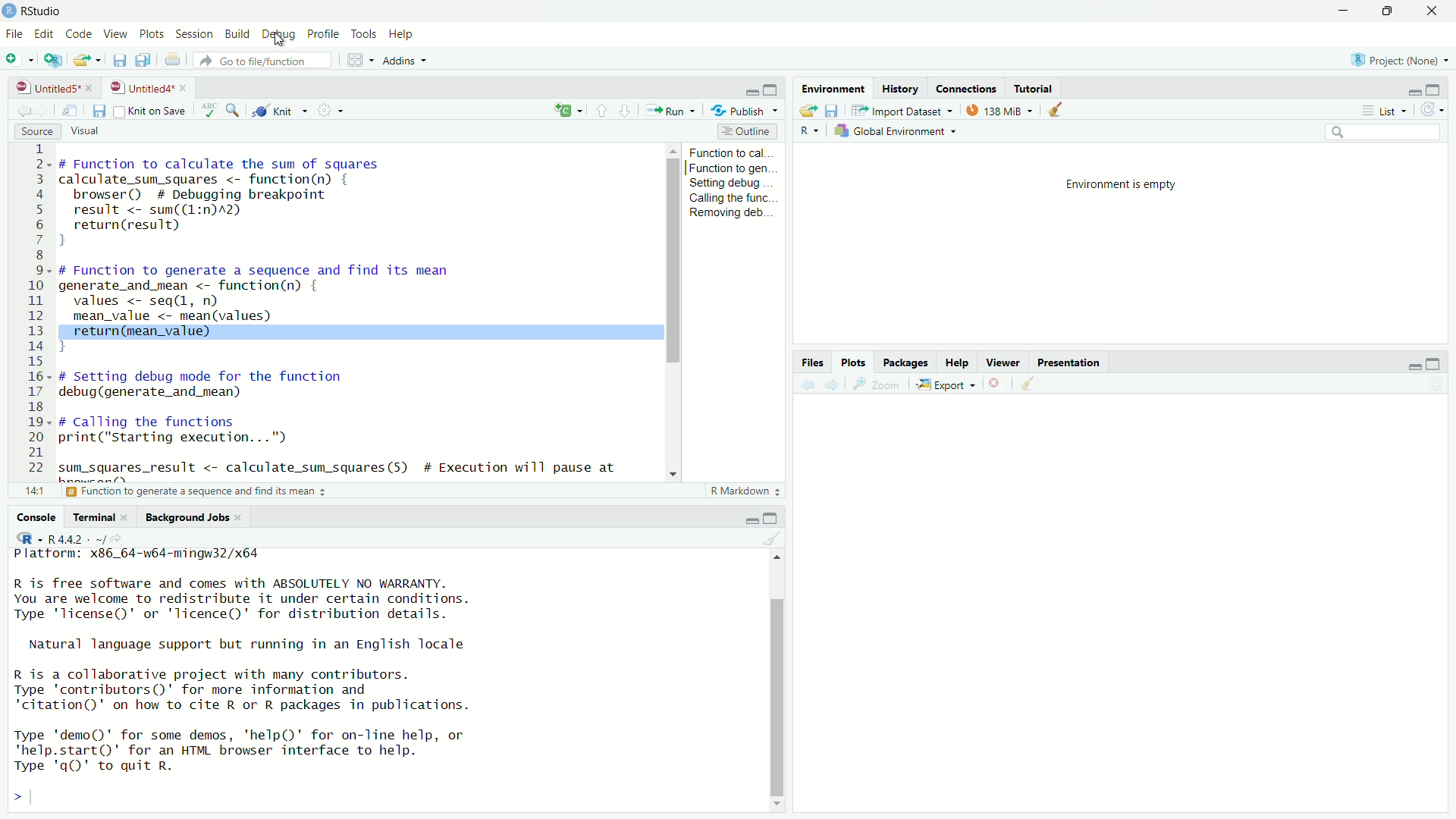  Describe the element at coordinates (127, 516) in the screenshot. I see `close` at that location.